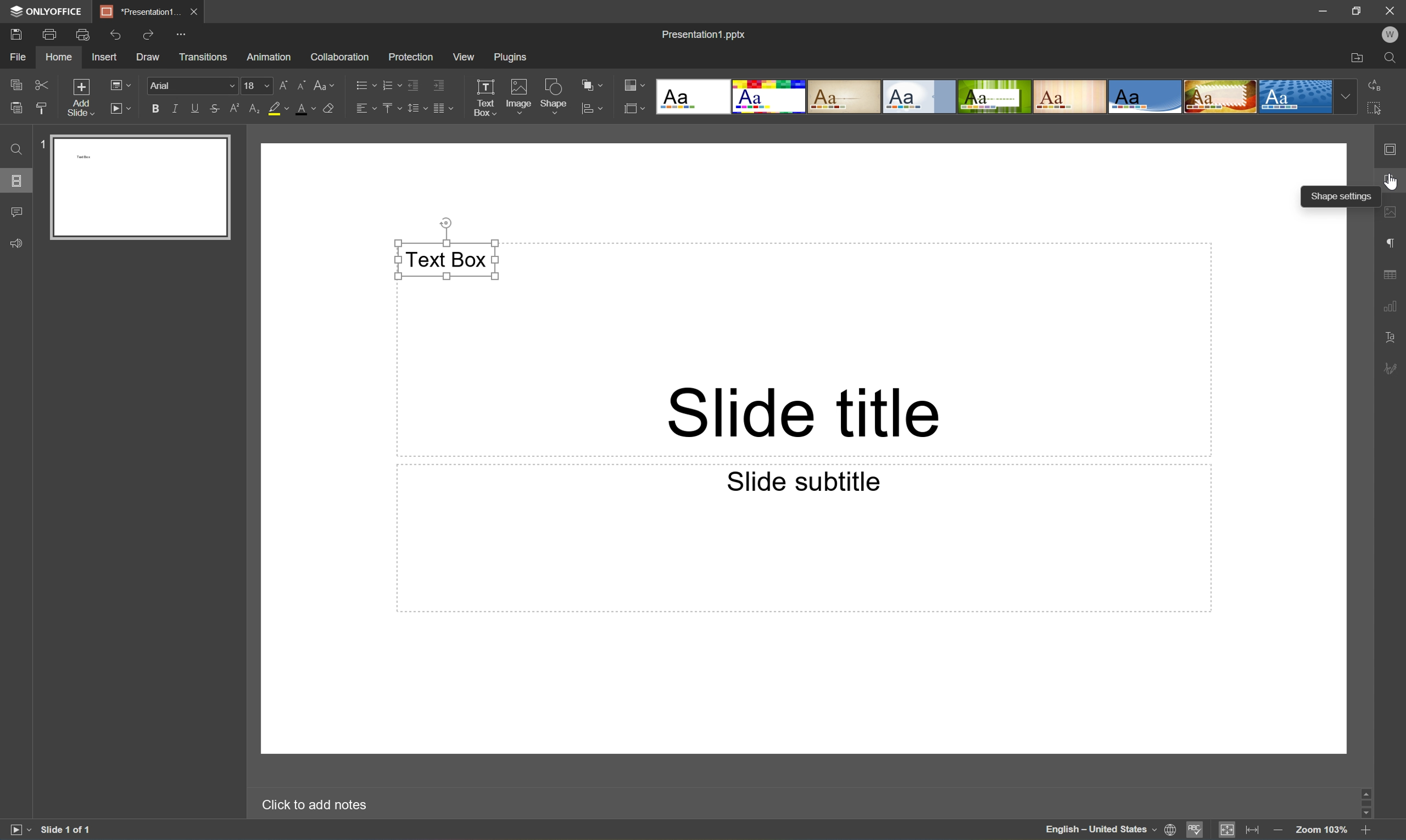 This screenshot has width=1406, height=840. What do you see at coordinates (18, 149) in the screenshot?
I see `Find` at bounding box center [18, 149].